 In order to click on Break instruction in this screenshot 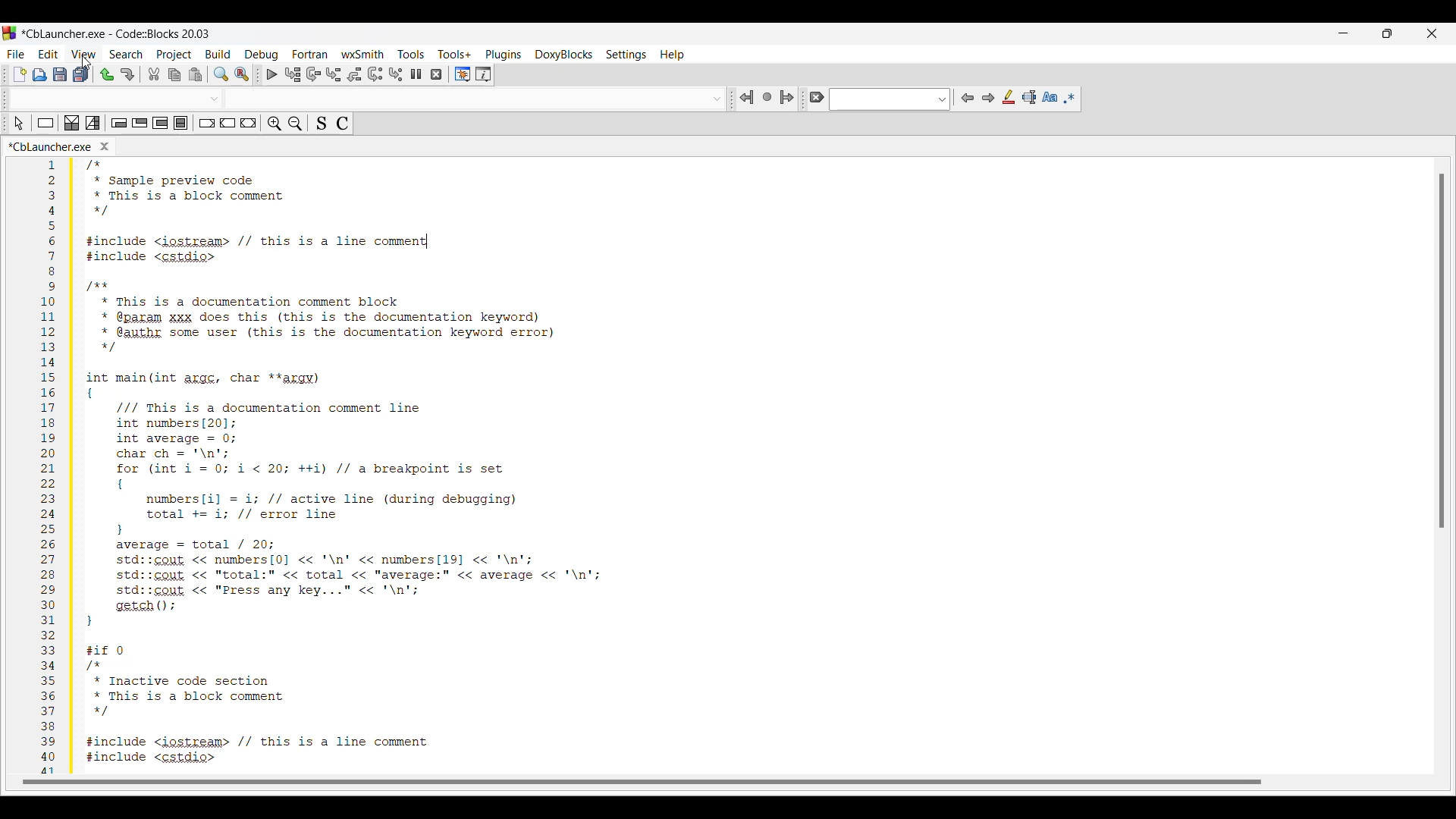, I will do `click(207, 123)`.